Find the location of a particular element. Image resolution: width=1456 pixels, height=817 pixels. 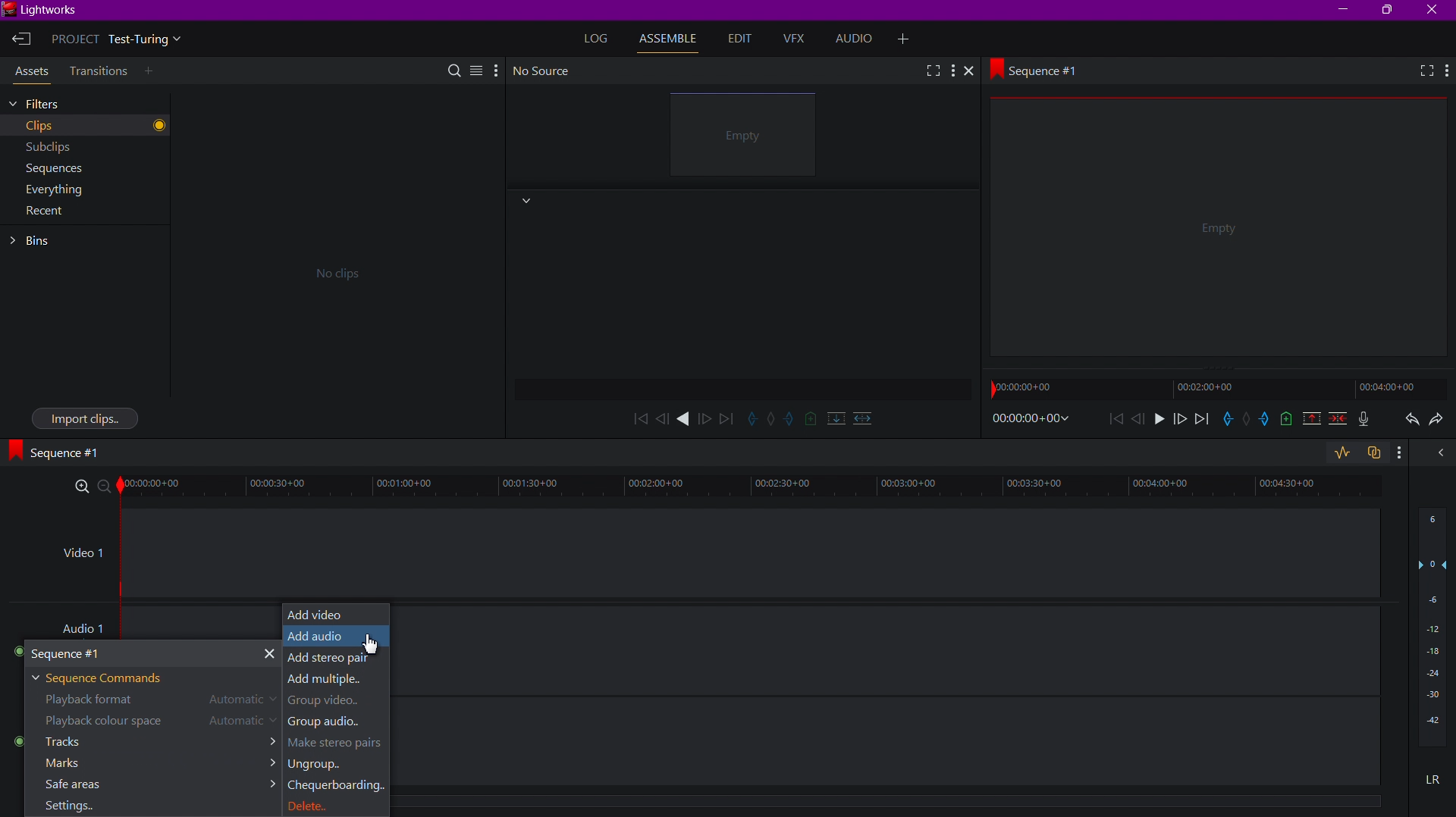

Audio Level is located at coordinates (1432, 633).